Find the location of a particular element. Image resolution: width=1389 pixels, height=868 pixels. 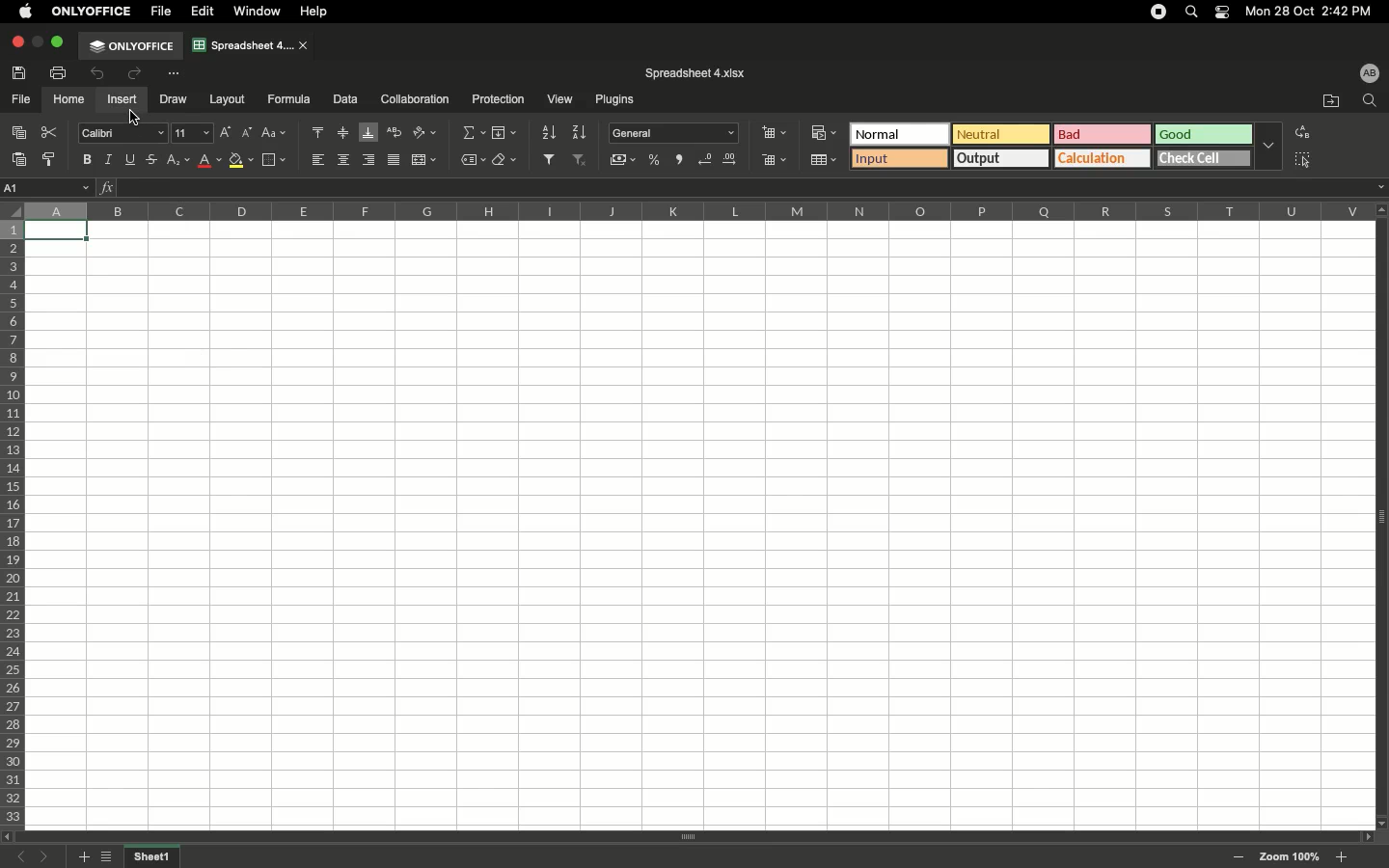

Scroll is located at coordinates (688, 838).